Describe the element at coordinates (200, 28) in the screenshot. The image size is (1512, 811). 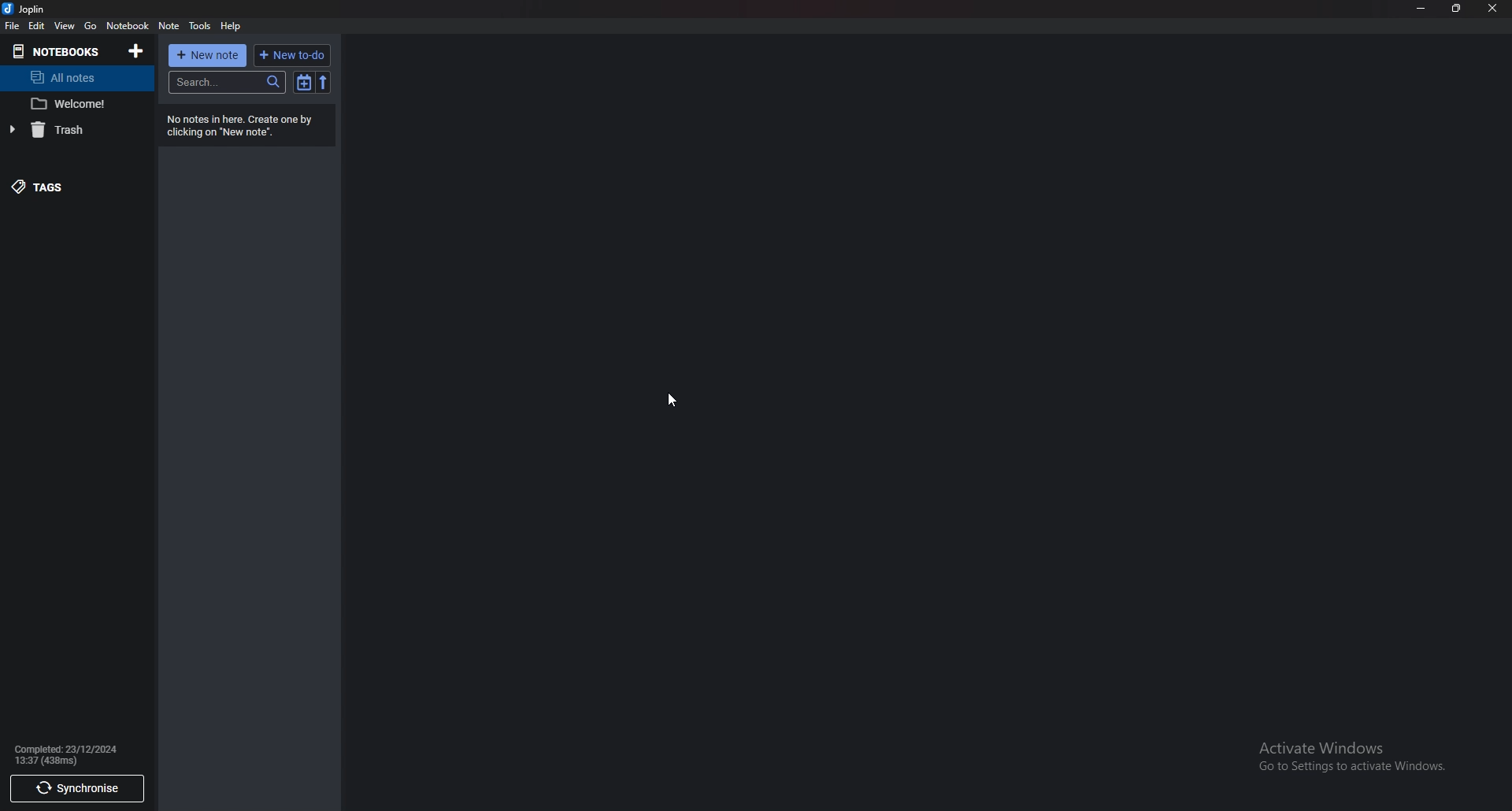
I see `Tools` at that location.